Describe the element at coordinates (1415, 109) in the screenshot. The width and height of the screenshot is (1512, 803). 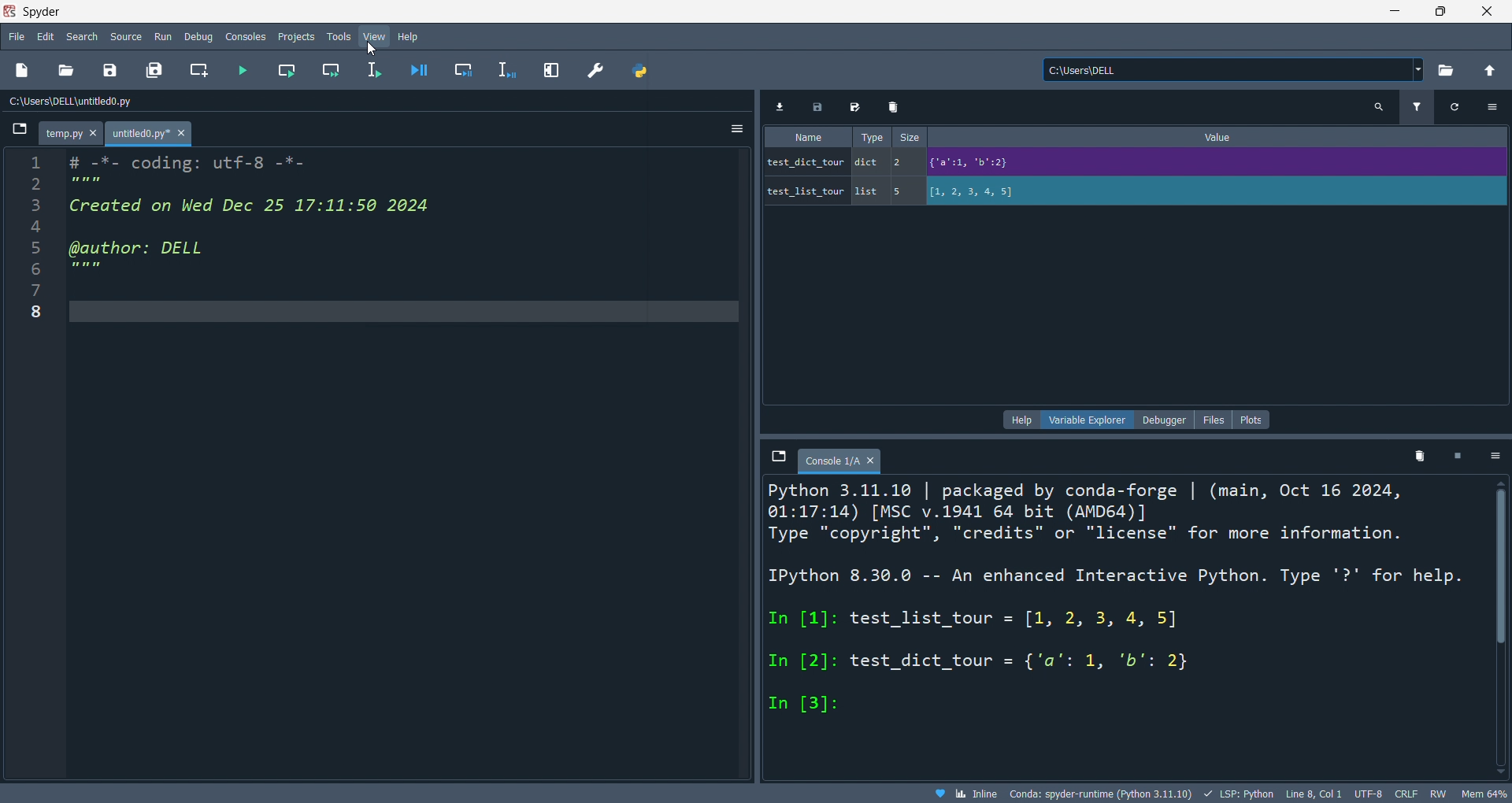
I see `filter` at that location.